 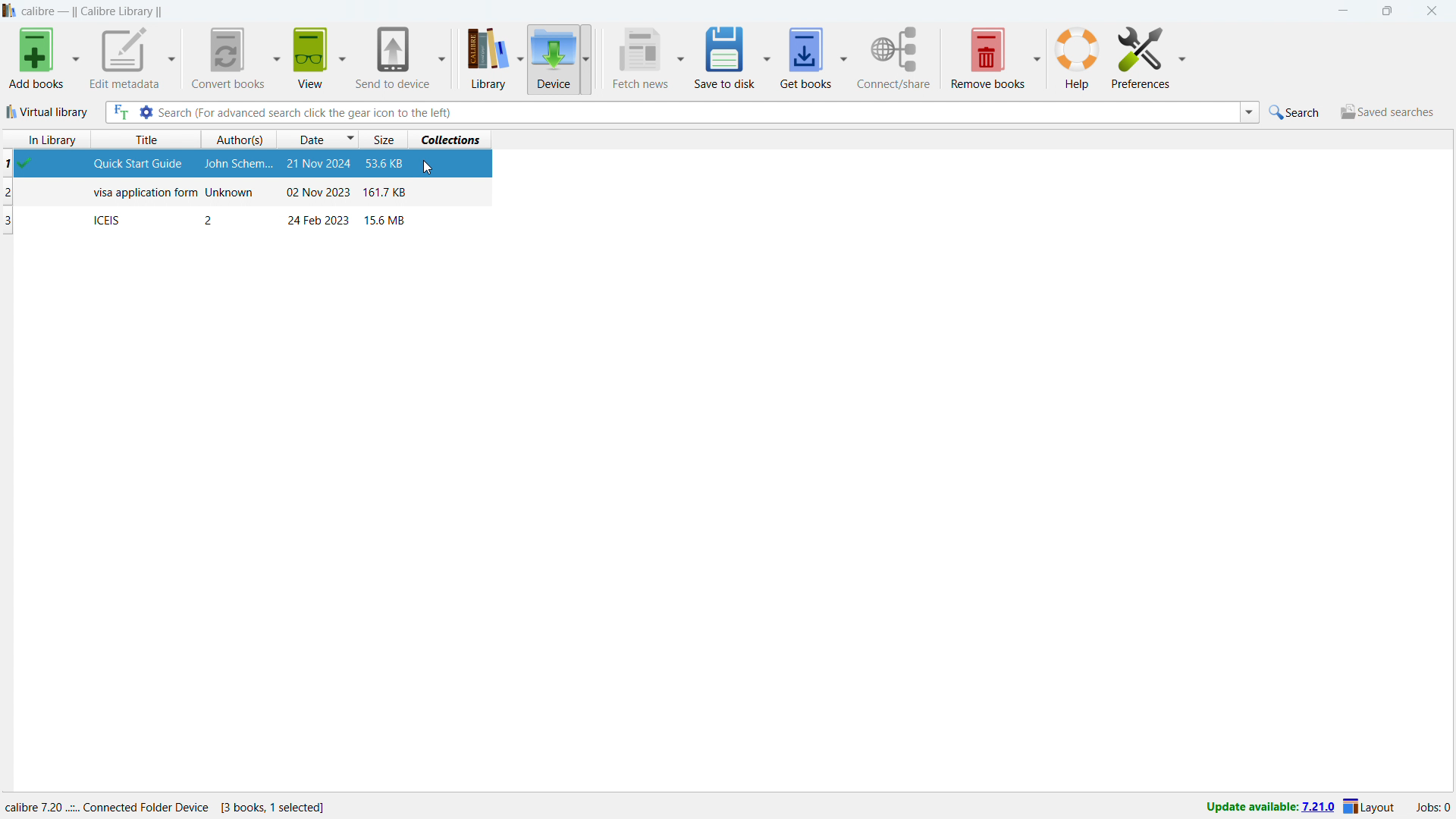 What do you see at coordinates (455, 138) in the screenshot?
I see `sort by collections` at bounding box center [455, 138].